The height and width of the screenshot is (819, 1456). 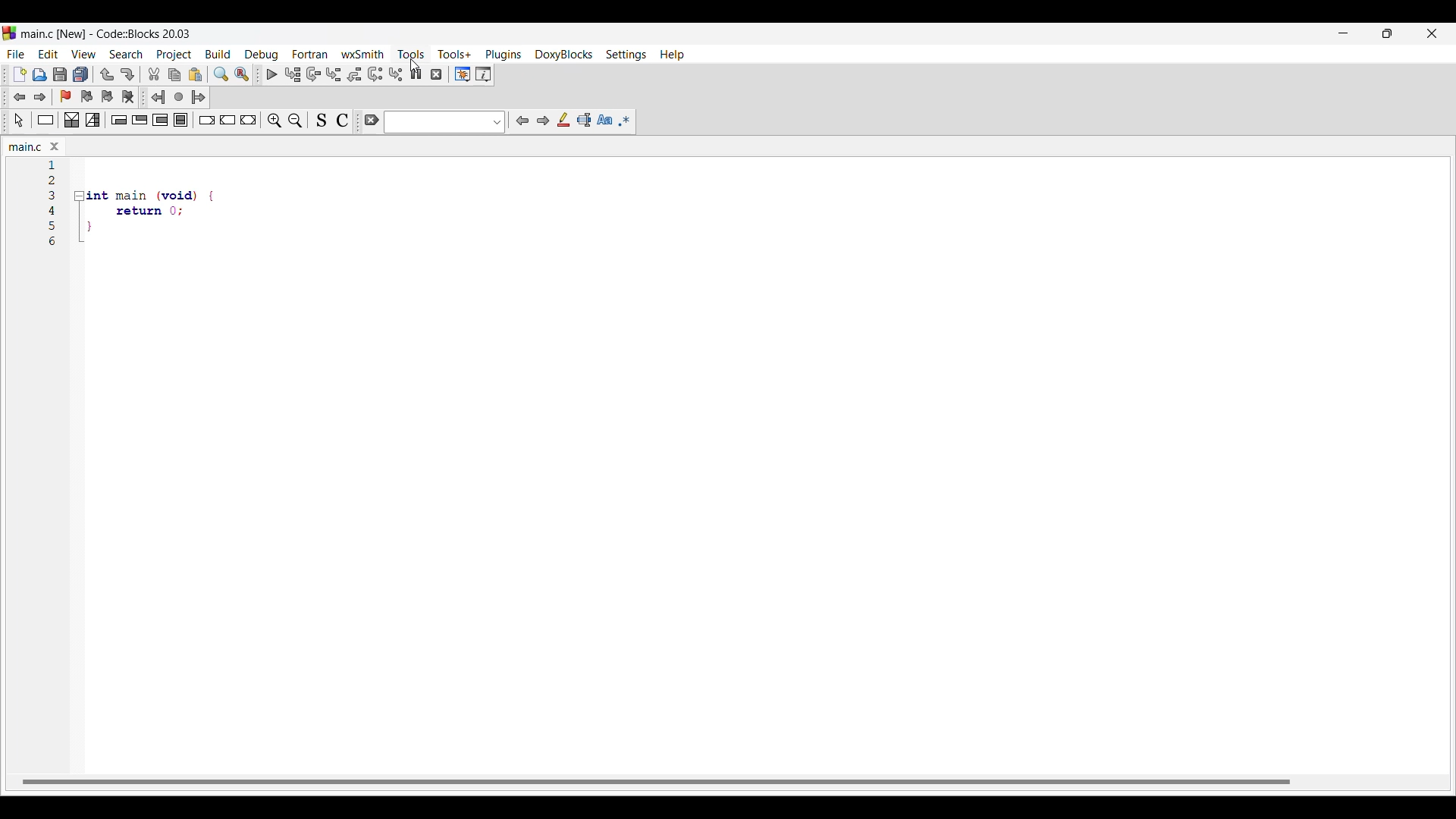 What do you see at coordinates (656, 782) in the screenshot?
I see `Horizontal slide bar` at bounding box center [656, 782].